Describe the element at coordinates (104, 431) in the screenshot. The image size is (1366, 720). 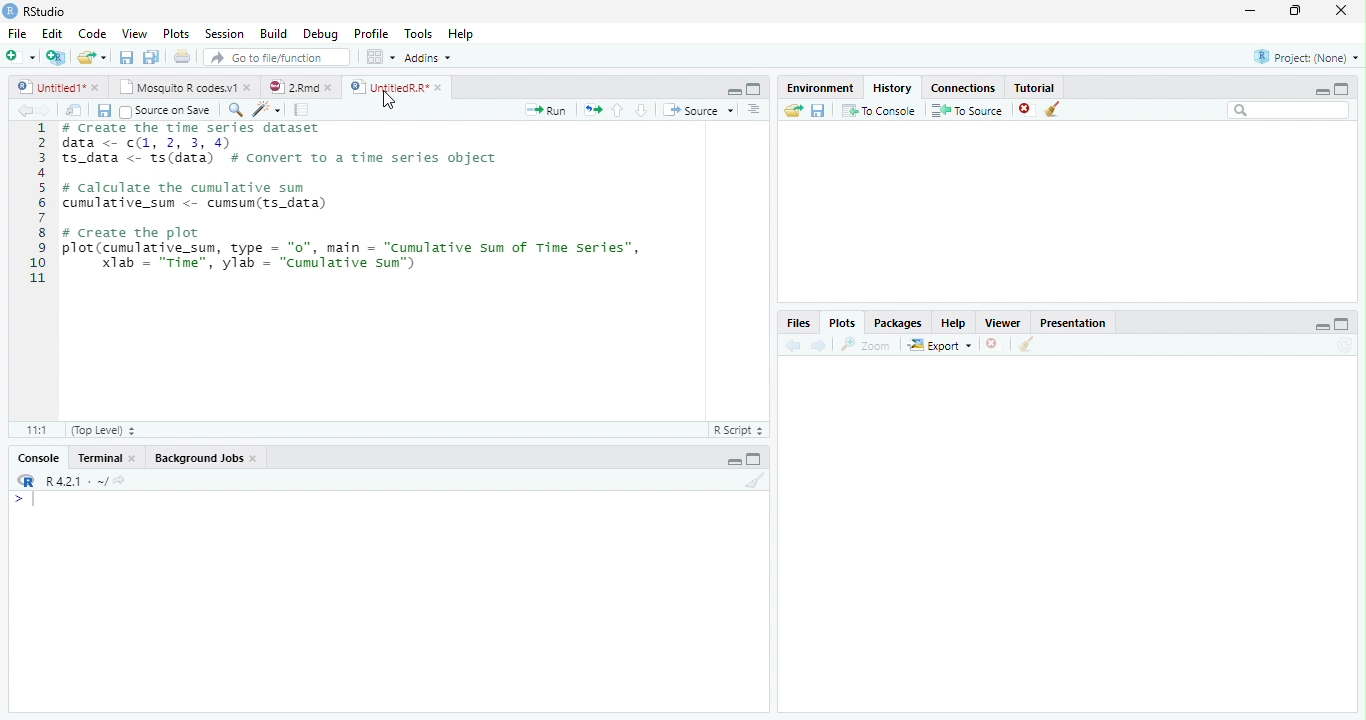
I see `Top level` at that location.